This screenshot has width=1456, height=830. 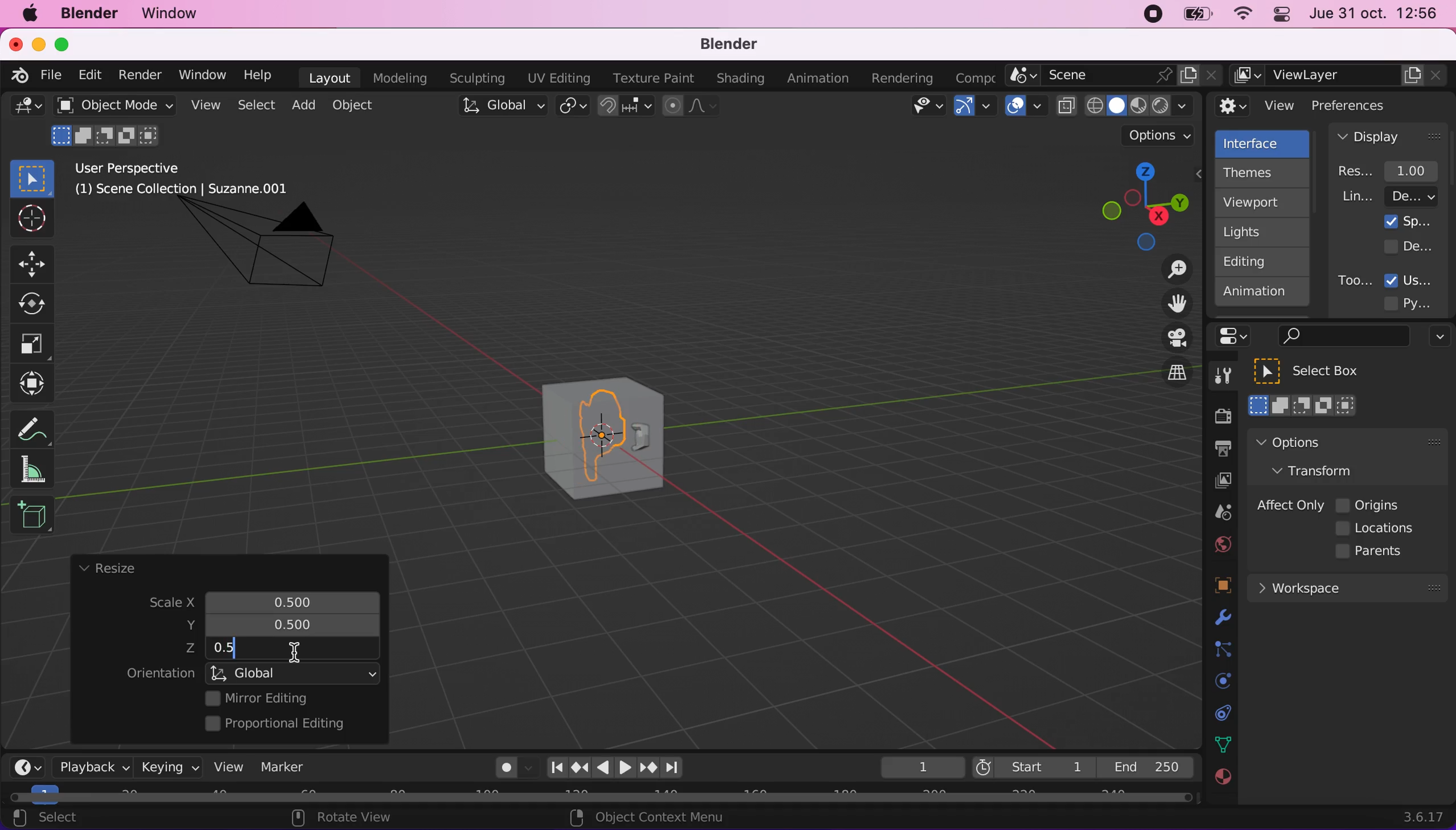 I want to click on select box, so click(x=32, y=178).